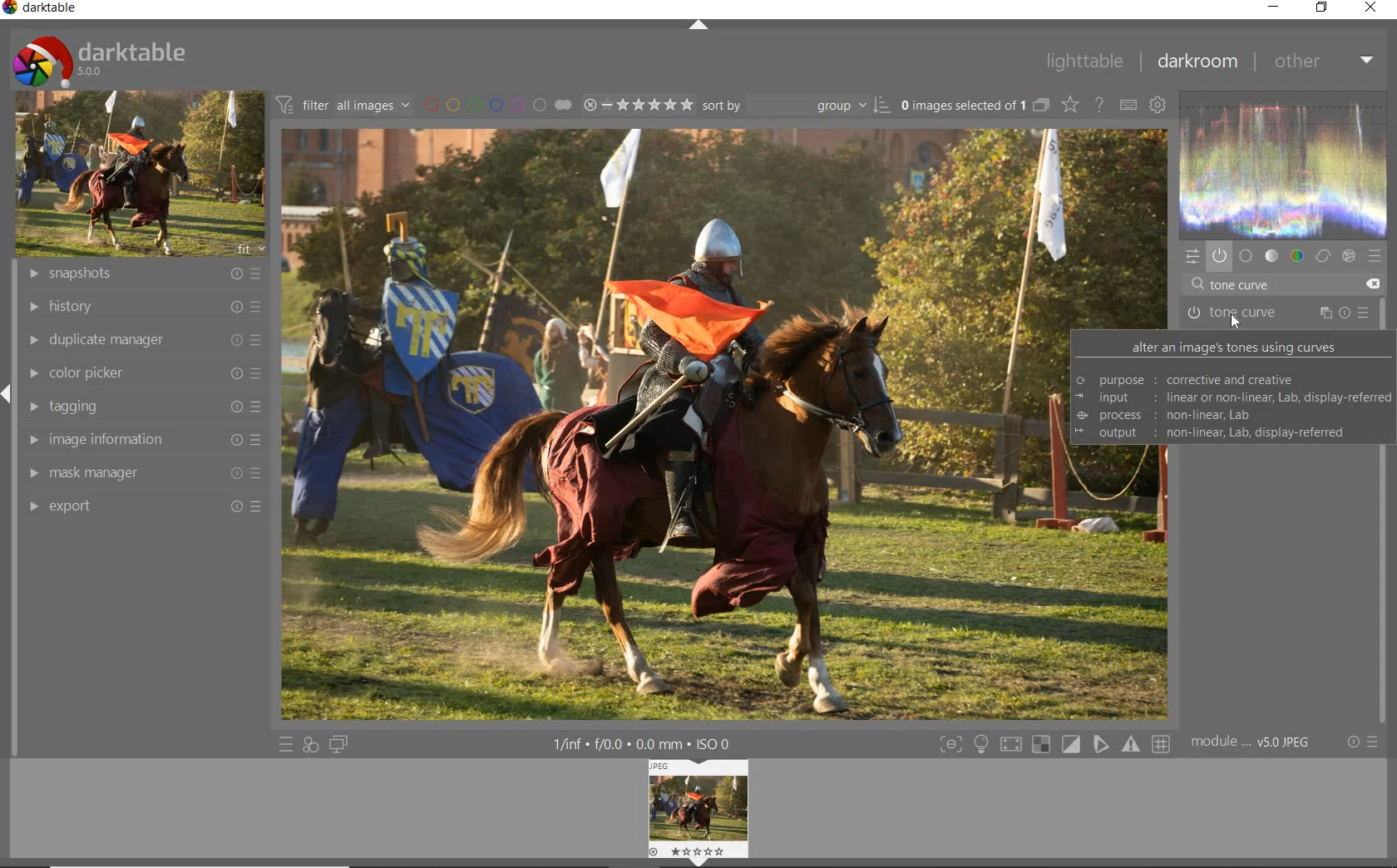 This screenshot has height=868, width=1397. Describe the element at coordinates (146, 274) in the screenshot. I see `snapshots` at that location.